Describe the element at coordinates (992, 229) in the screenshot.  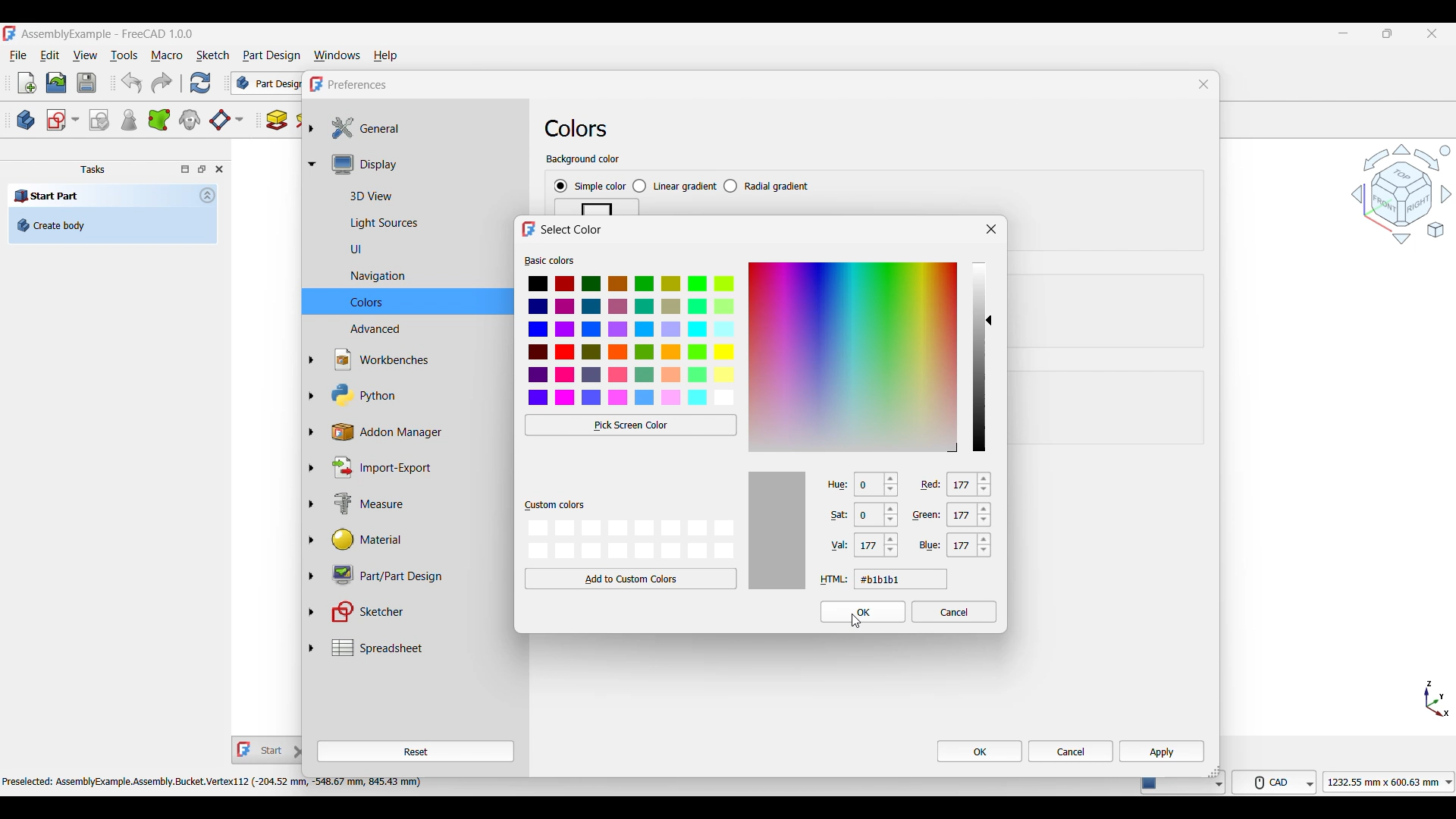
I see `Close` at that location.